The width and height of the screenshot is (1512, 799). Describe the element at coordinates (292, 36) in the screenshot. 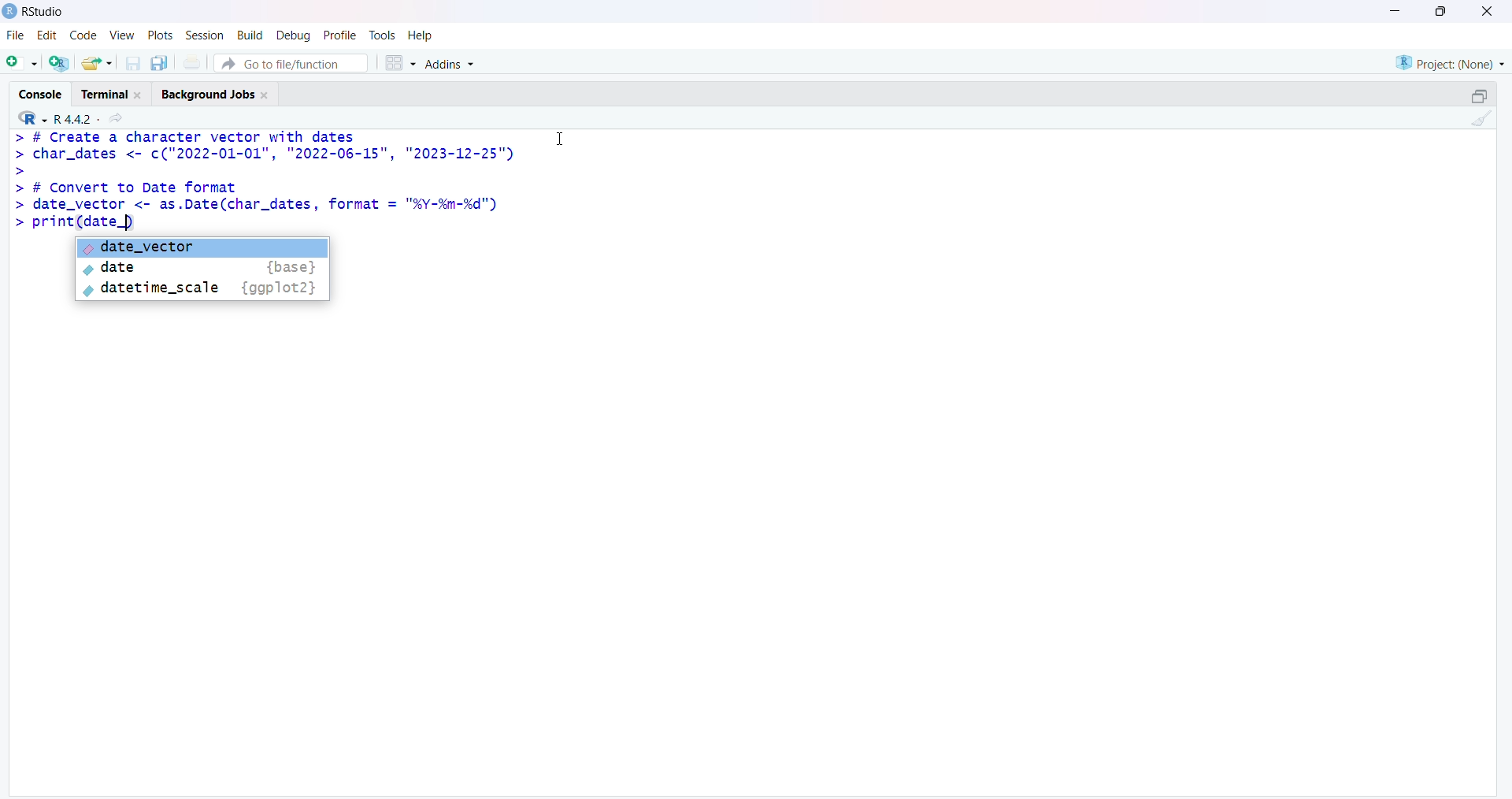

I see `Debug` at that location.